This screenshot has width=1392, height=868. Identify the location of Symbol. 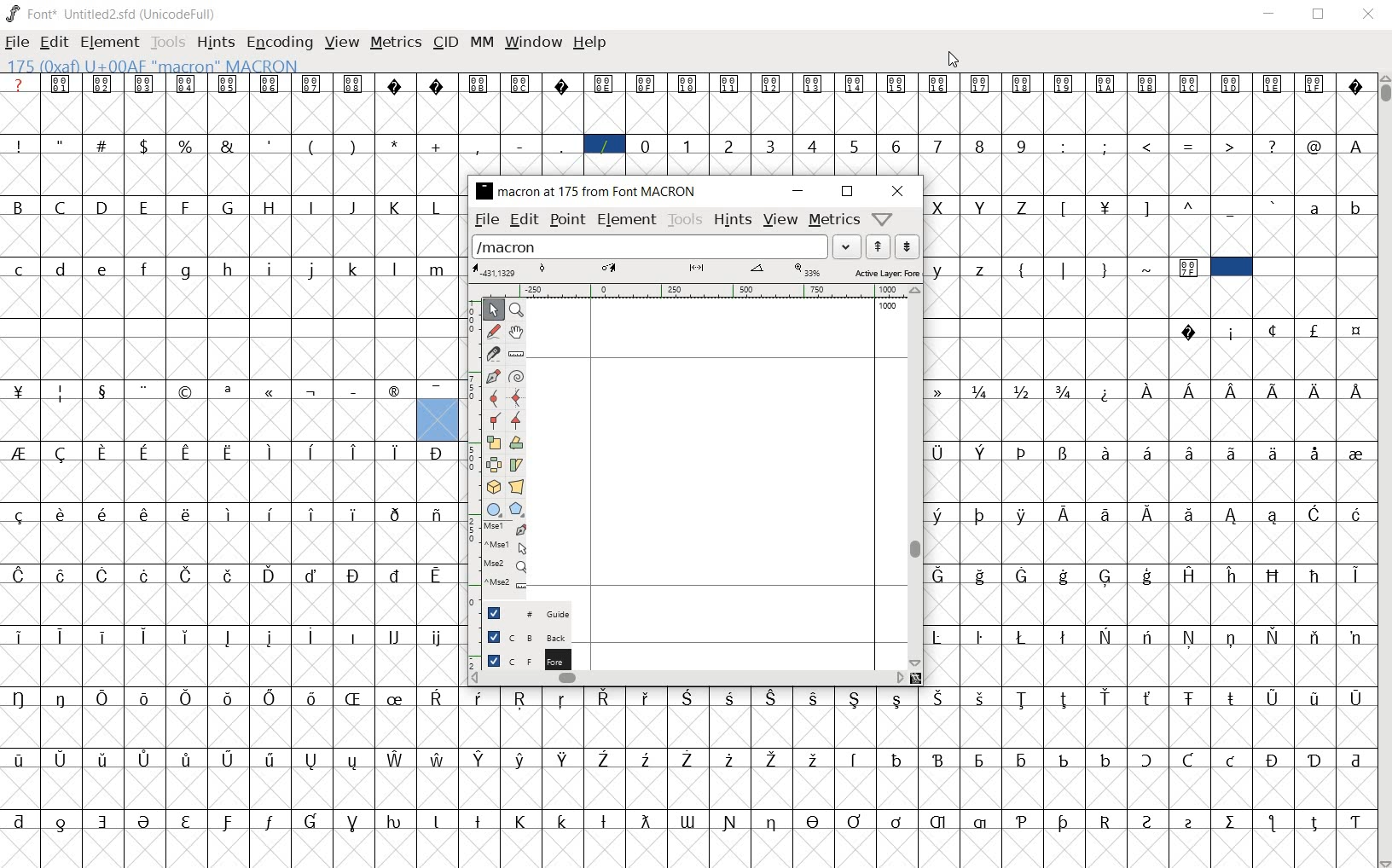
(313, 515).